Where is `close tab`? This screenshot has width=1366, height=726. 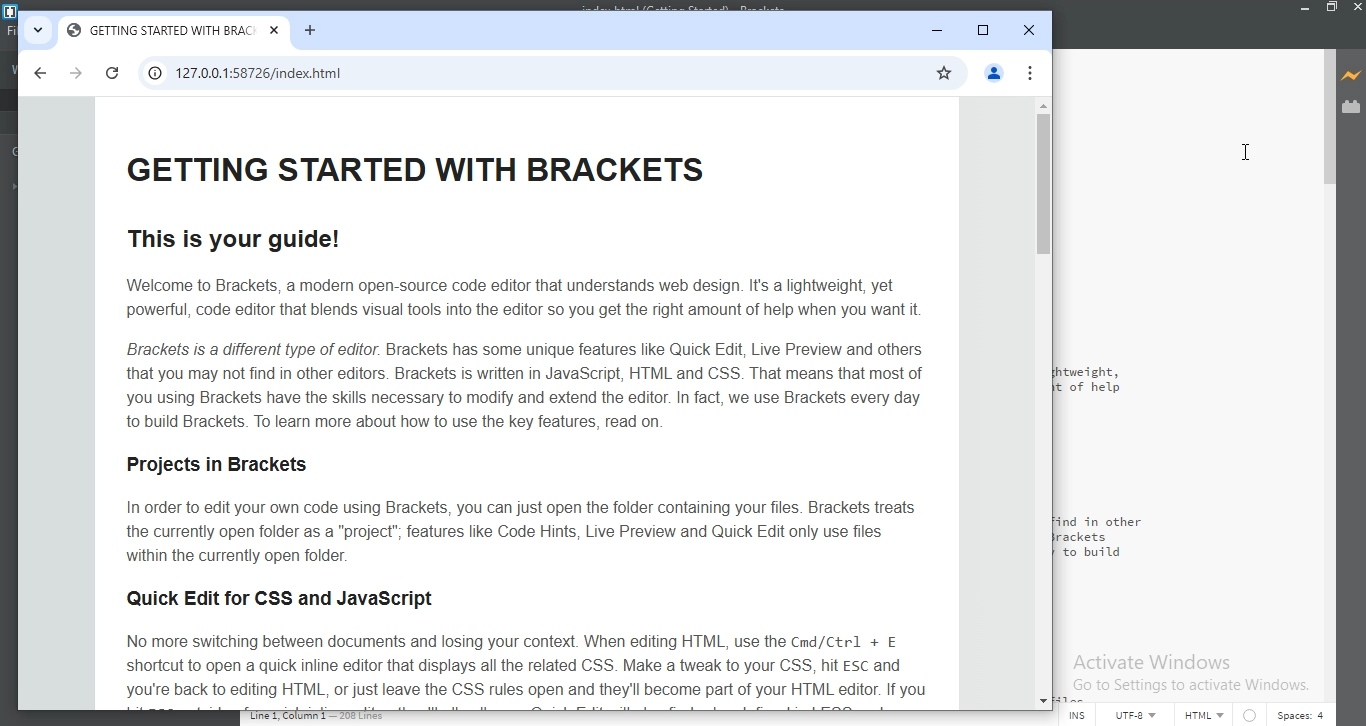
close tab is located at coordinates (277, 32).